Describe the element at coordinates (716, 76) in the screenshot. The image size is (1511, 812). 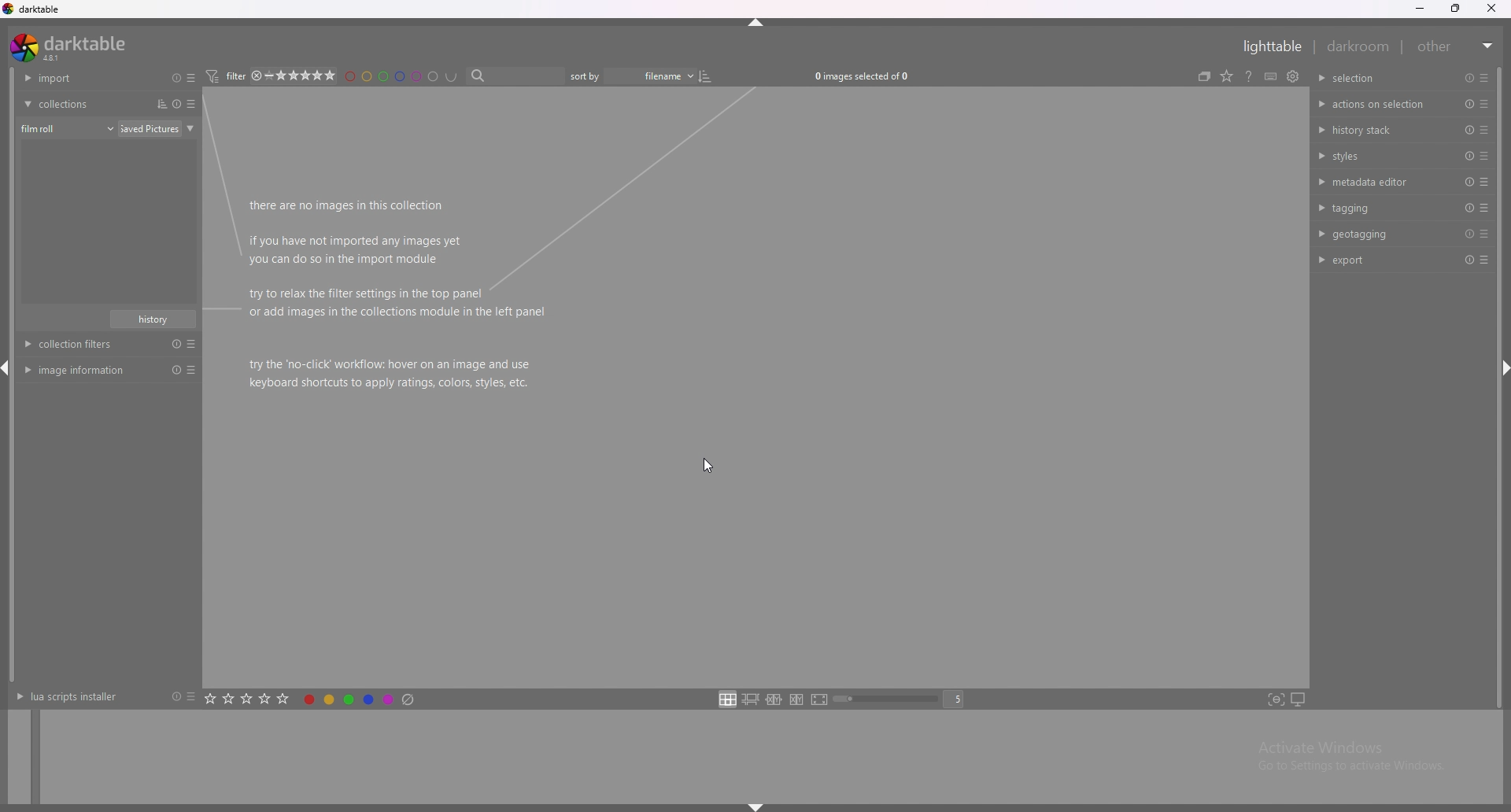
I see `toggle` at that location.